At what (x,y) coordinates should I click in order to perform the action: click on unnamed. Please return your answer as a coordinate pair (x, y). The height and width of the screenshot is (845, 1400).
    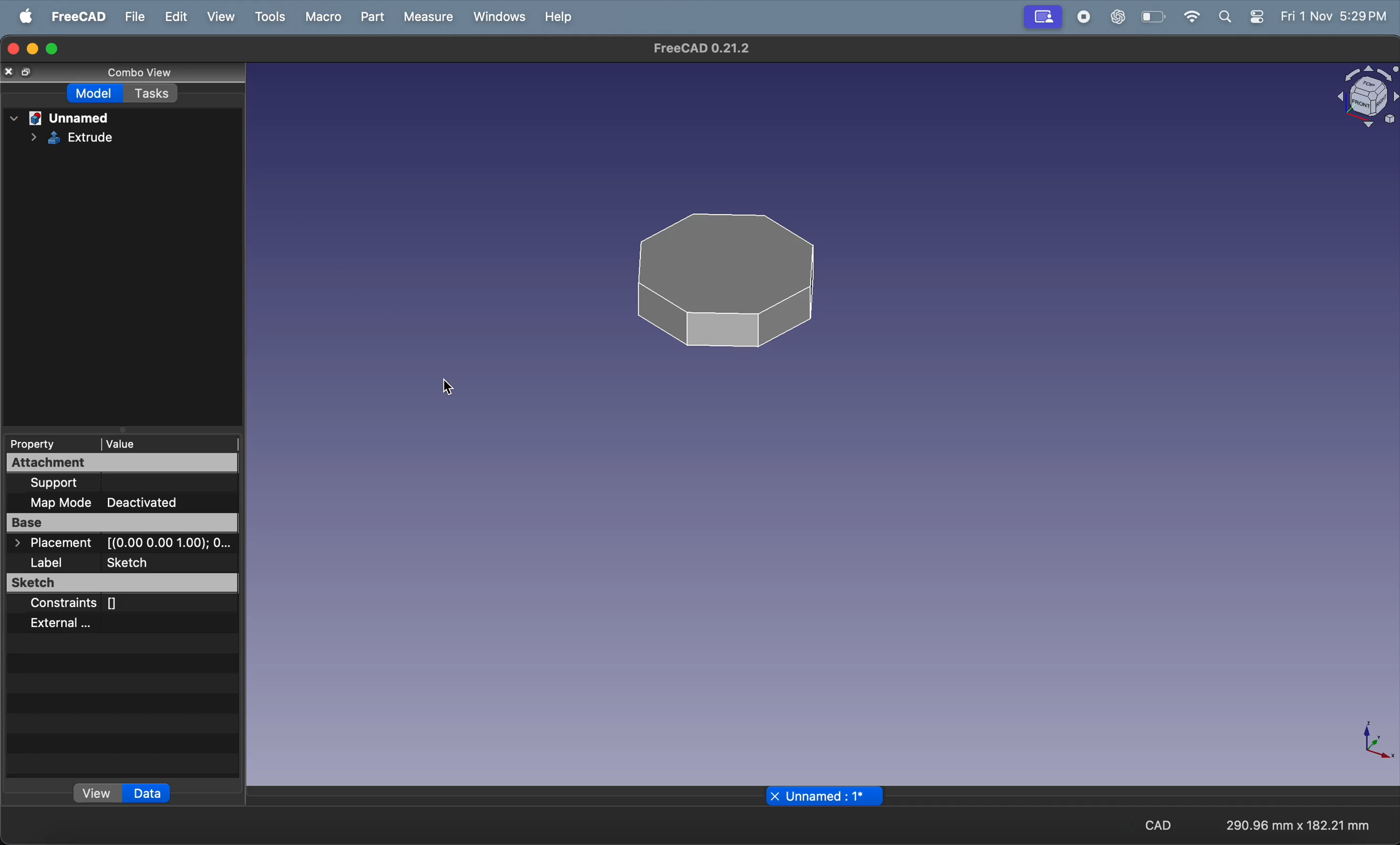
    Looking at the image, I should click on (60, 115).